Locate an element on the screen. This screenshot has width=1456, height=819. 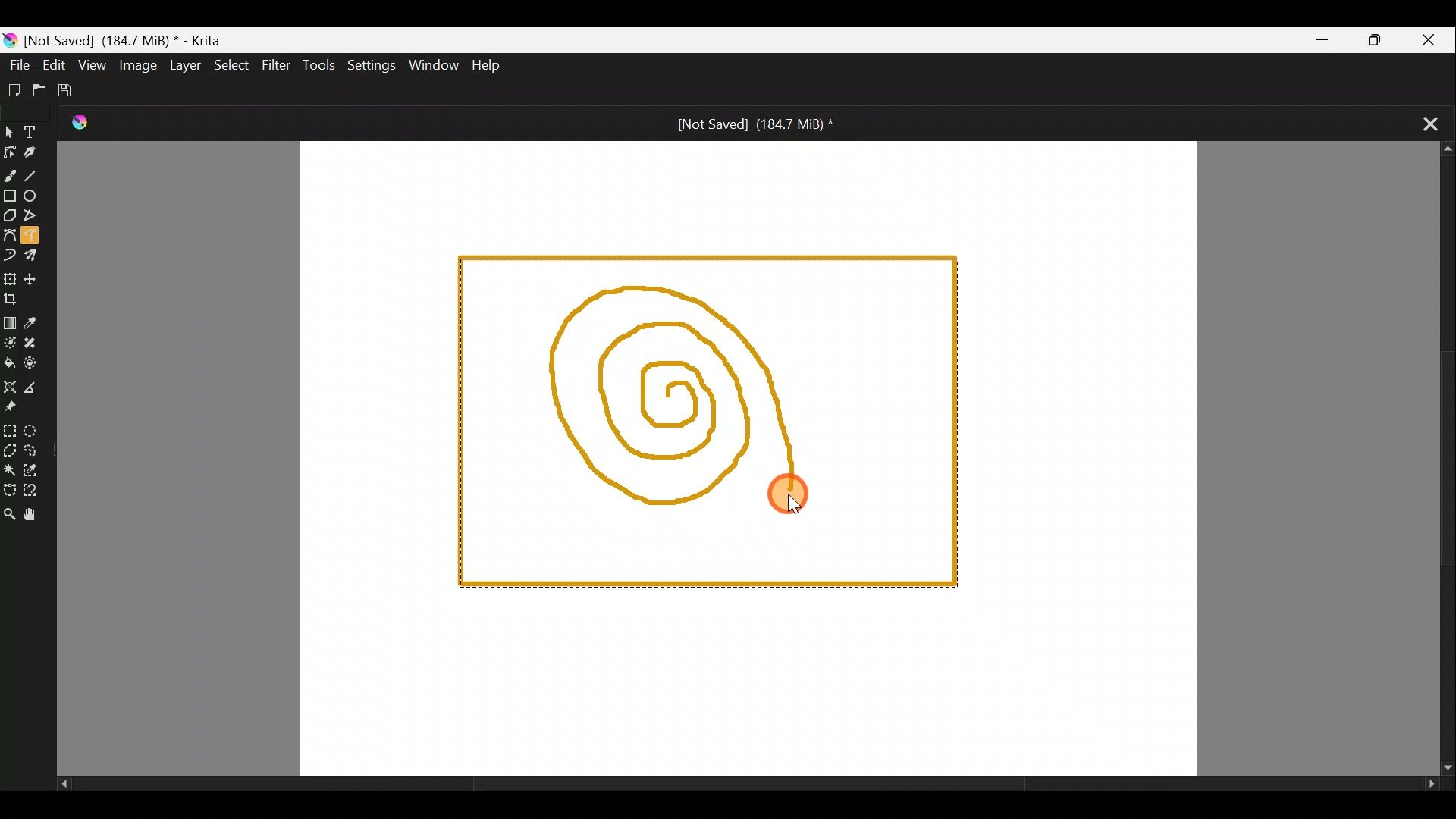
Transform a layer is located at coordinates (9, 280).